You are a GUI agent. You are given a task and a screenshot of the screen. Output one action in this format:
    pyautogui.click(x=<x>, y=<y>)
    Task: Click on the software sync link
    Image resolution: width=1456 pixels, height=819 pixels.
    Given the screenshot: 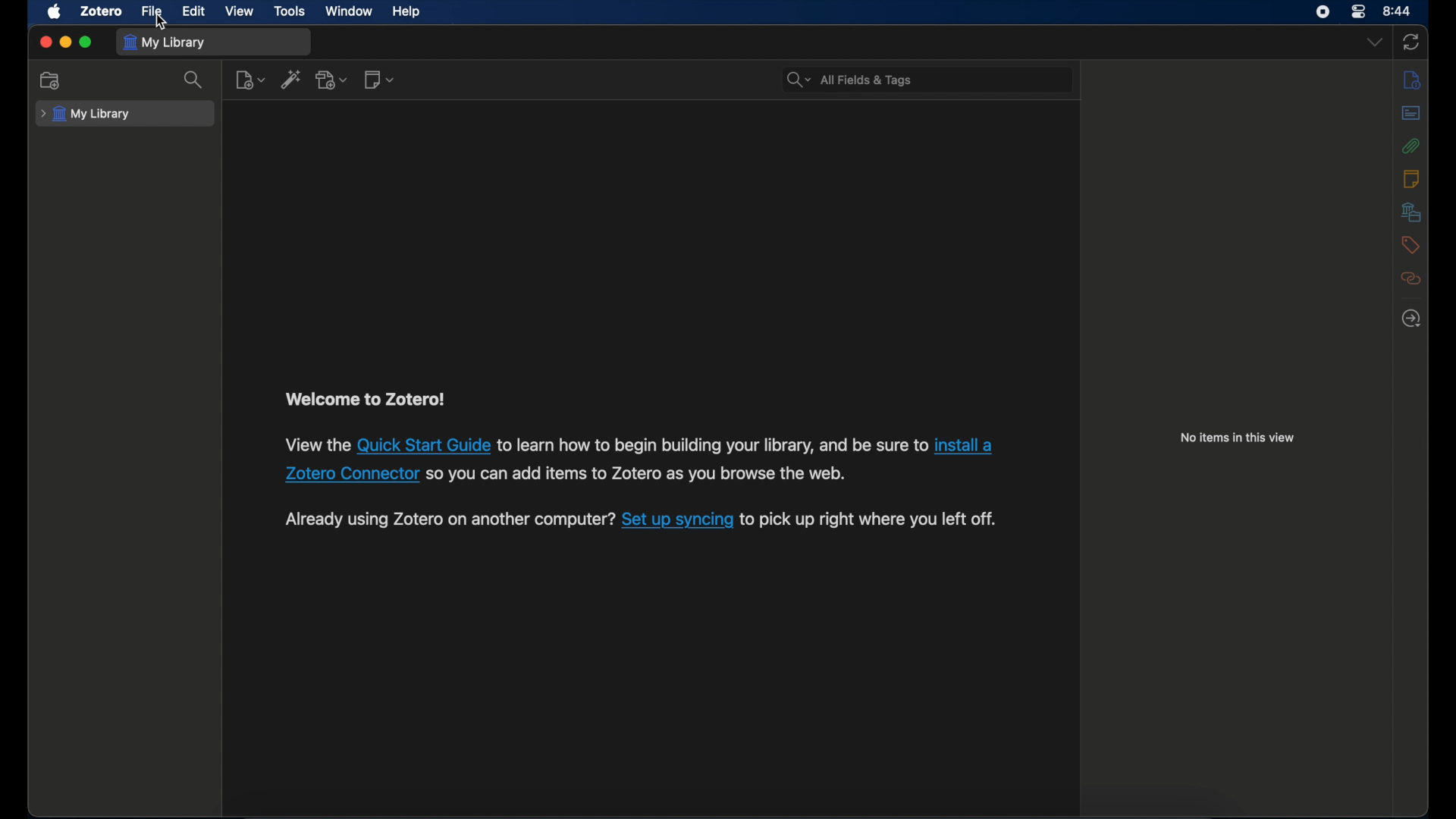 What is the action you would take?
    pyautogui.click(x=678, y=521)
    